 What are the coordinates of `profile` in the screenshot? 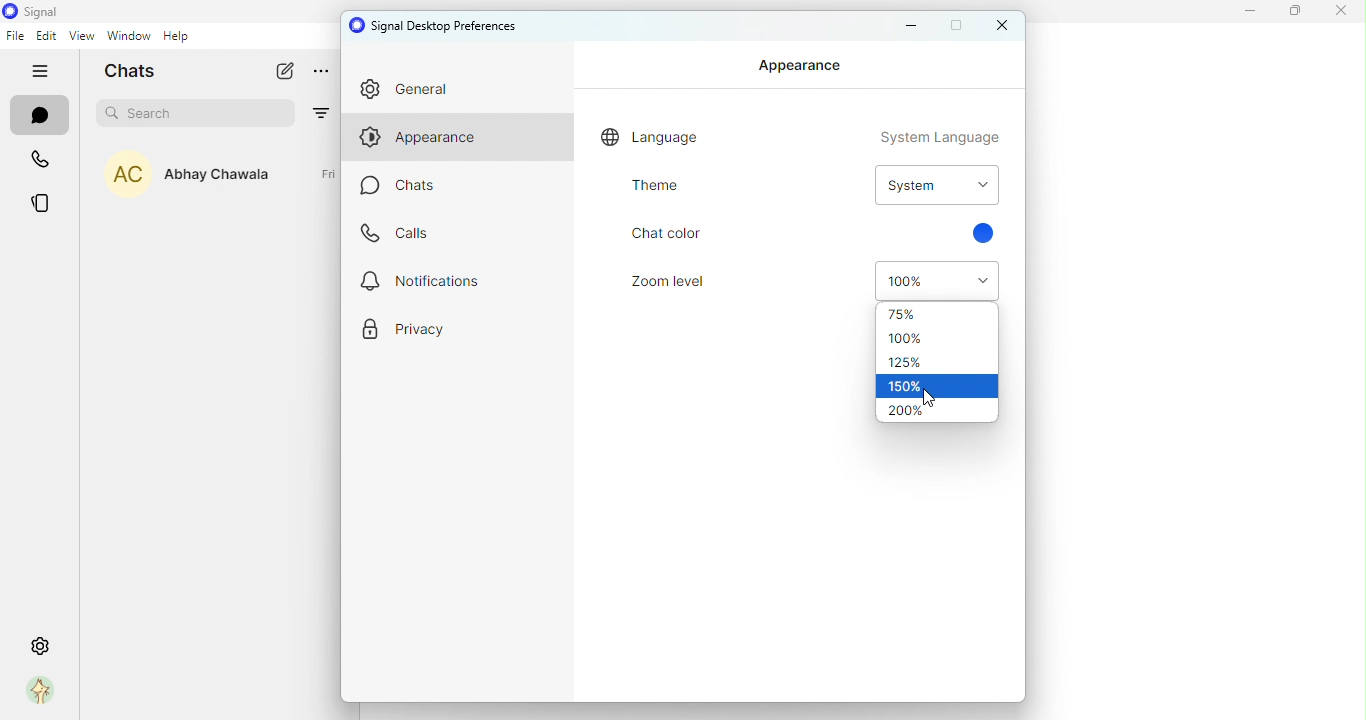 It's located at (36, 692).